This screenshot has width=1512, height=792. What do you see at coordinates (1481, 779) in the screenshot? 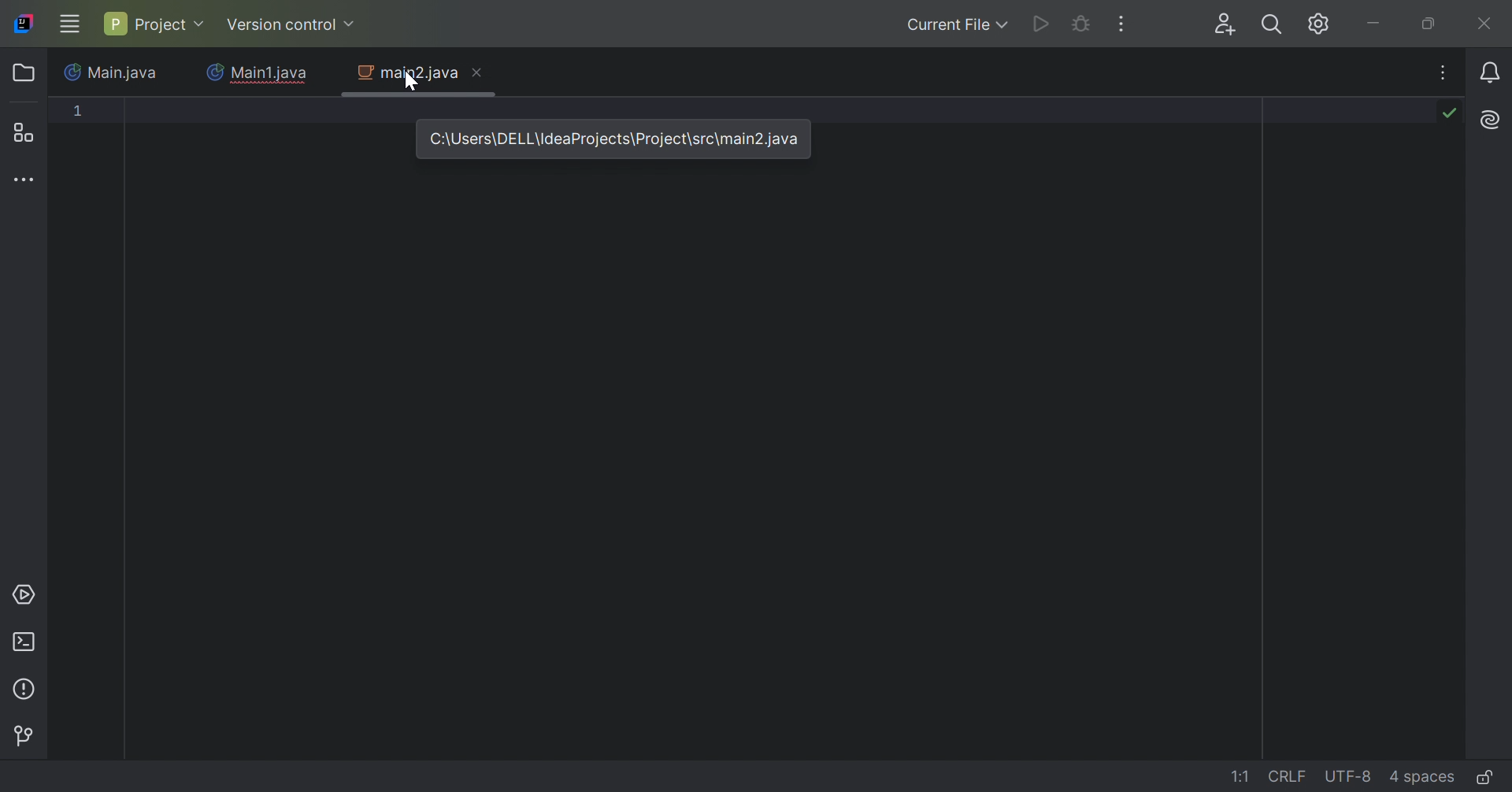
I see `Make file read-only` at bounding box center [1481, 779].